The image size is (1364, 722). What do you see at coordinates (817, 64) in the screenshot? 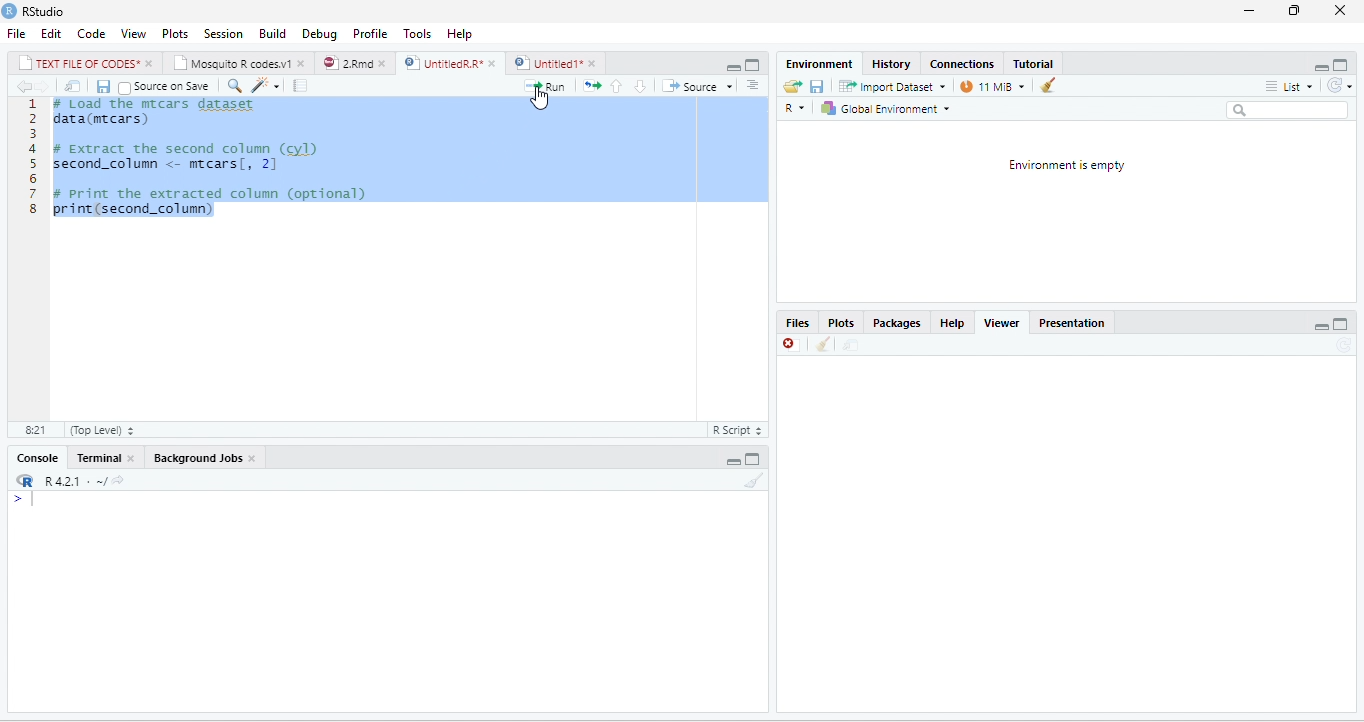
I see `‘Environment` at bounding box center [817, 64].